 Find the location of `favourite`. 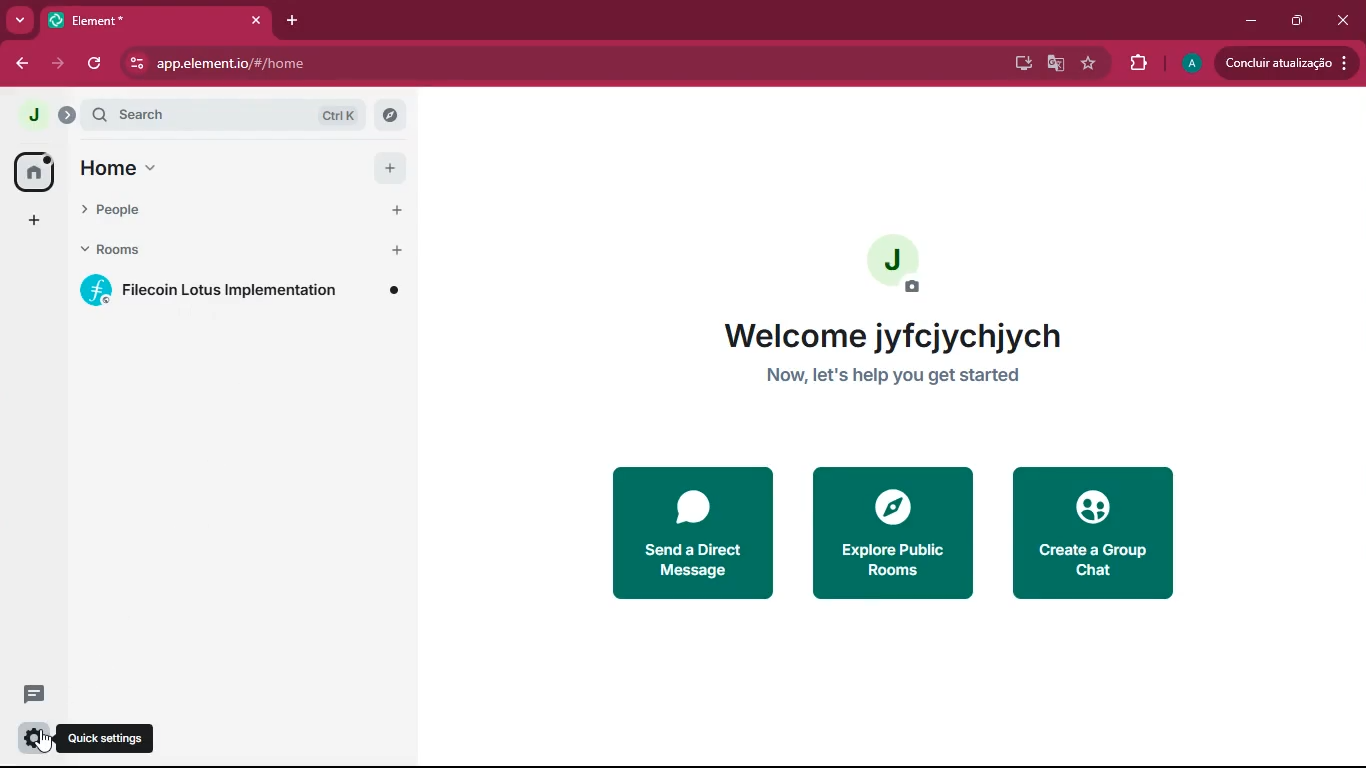

favourite is located at coordinates (1087, 65).